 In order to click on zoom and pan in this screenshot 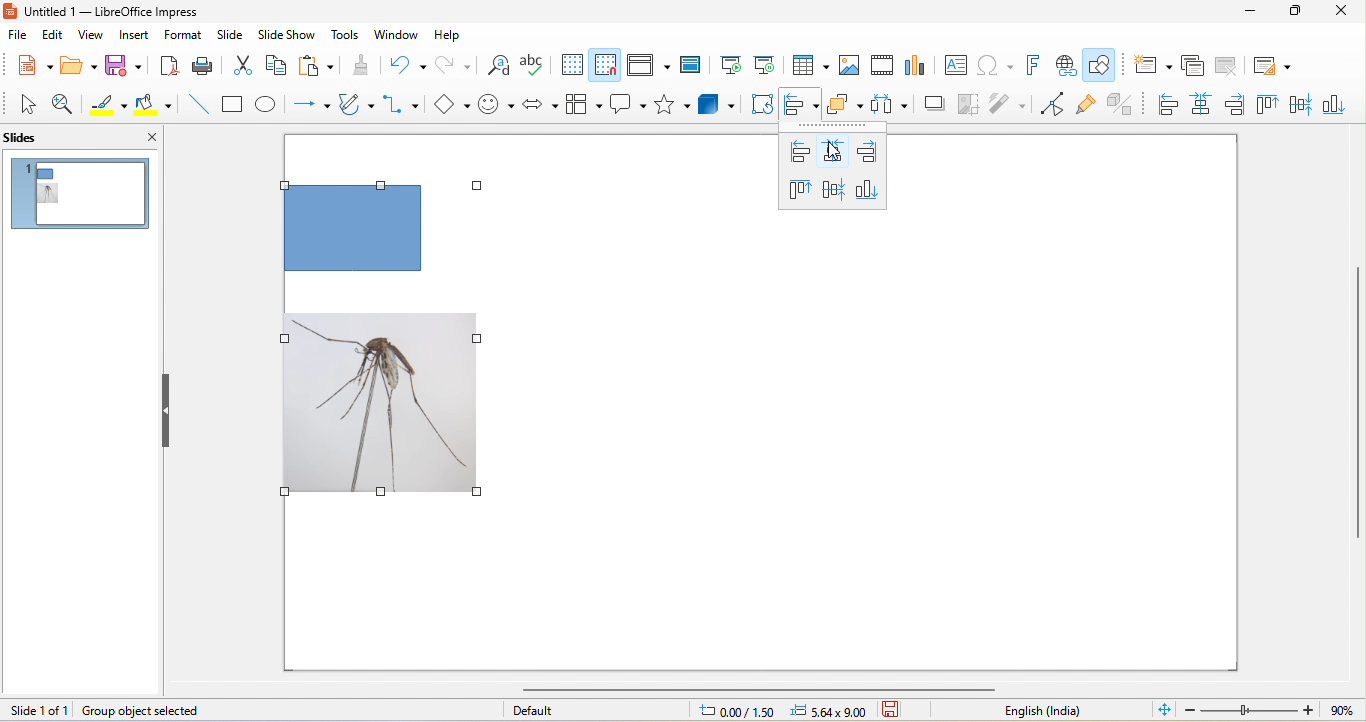, I will do `click(67, 104)`.